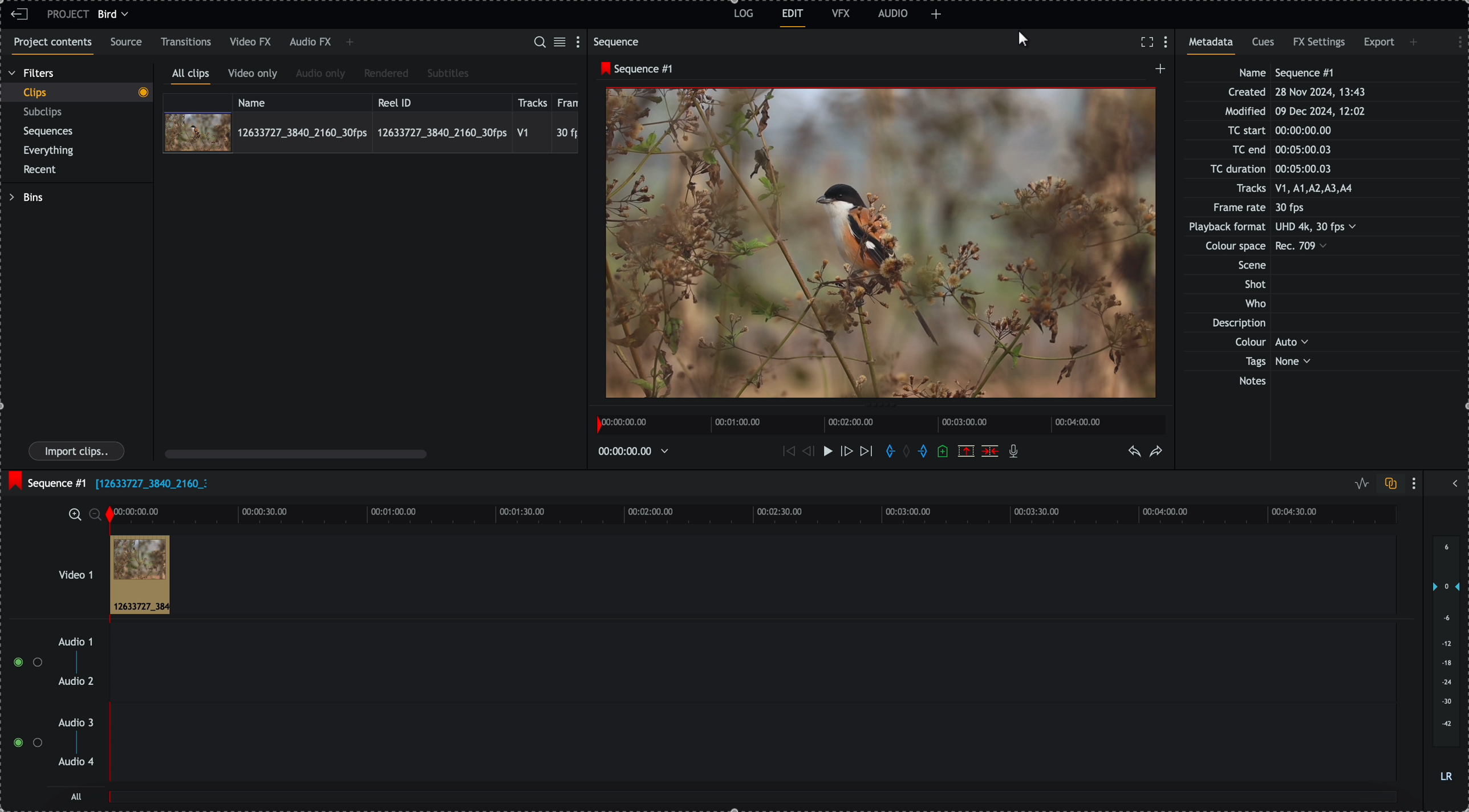 This screenshot has height=812, width=1469. Describe the element at coordinates (296, 453) in the screenshot. I see `scroll bar` at that location.